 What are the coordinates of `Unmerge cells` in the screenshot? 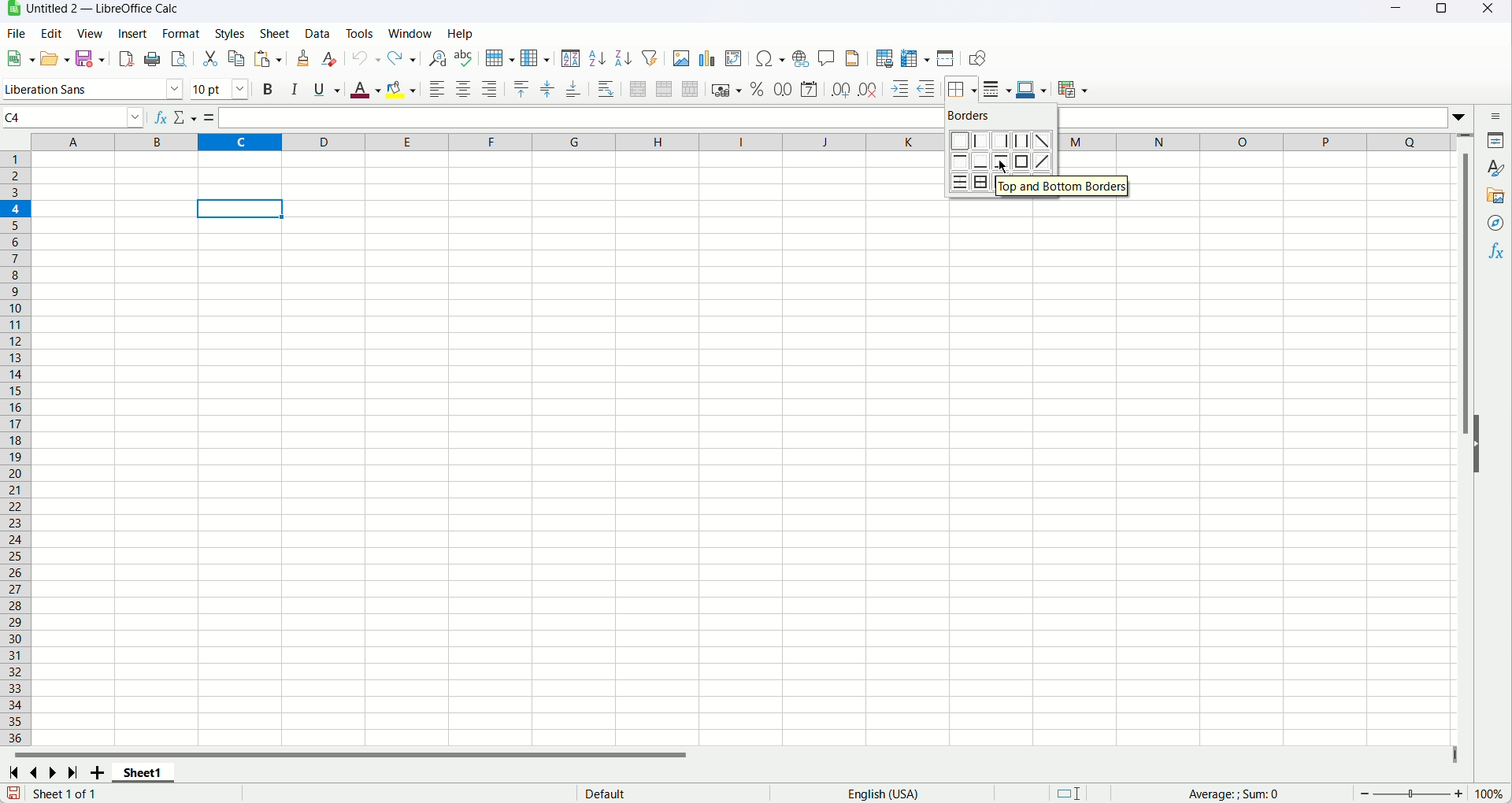 It's located at (691, 89).